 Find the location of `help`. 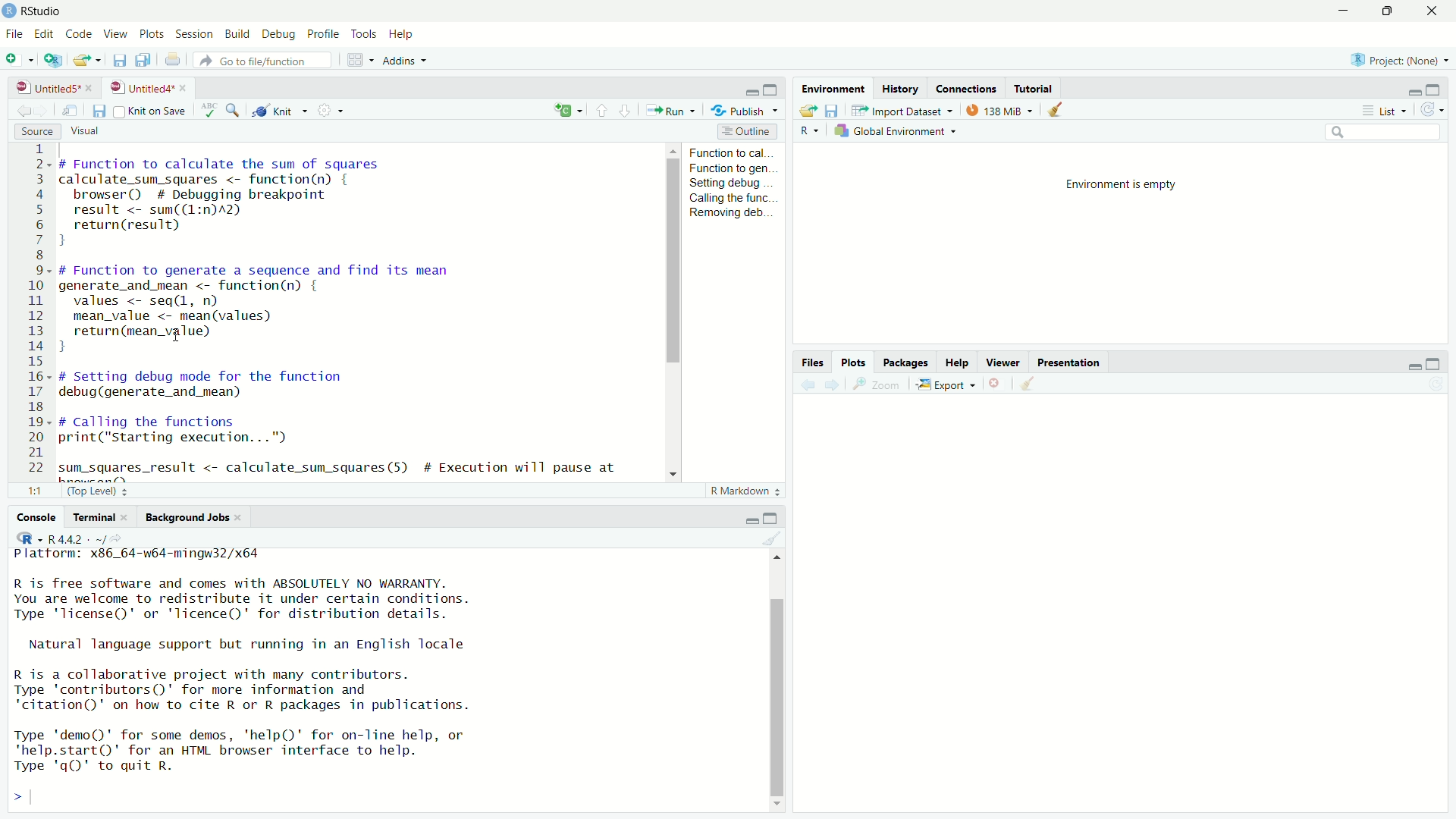

help is located at coordinates (958, 362).